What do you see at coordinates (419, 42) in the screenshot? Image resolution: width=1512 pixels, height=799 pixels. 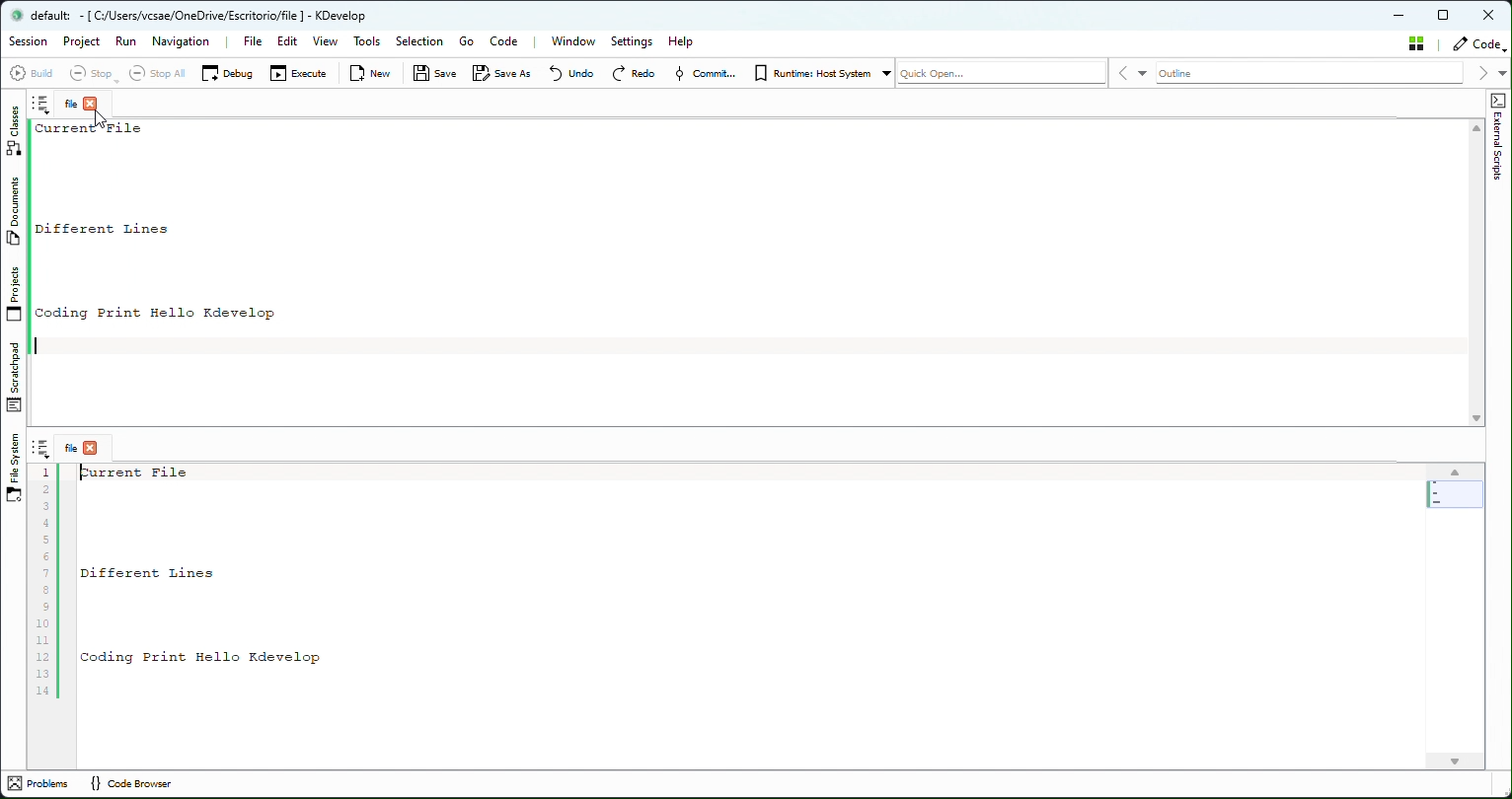 I see `Selection` at bounding box center [419, 42].